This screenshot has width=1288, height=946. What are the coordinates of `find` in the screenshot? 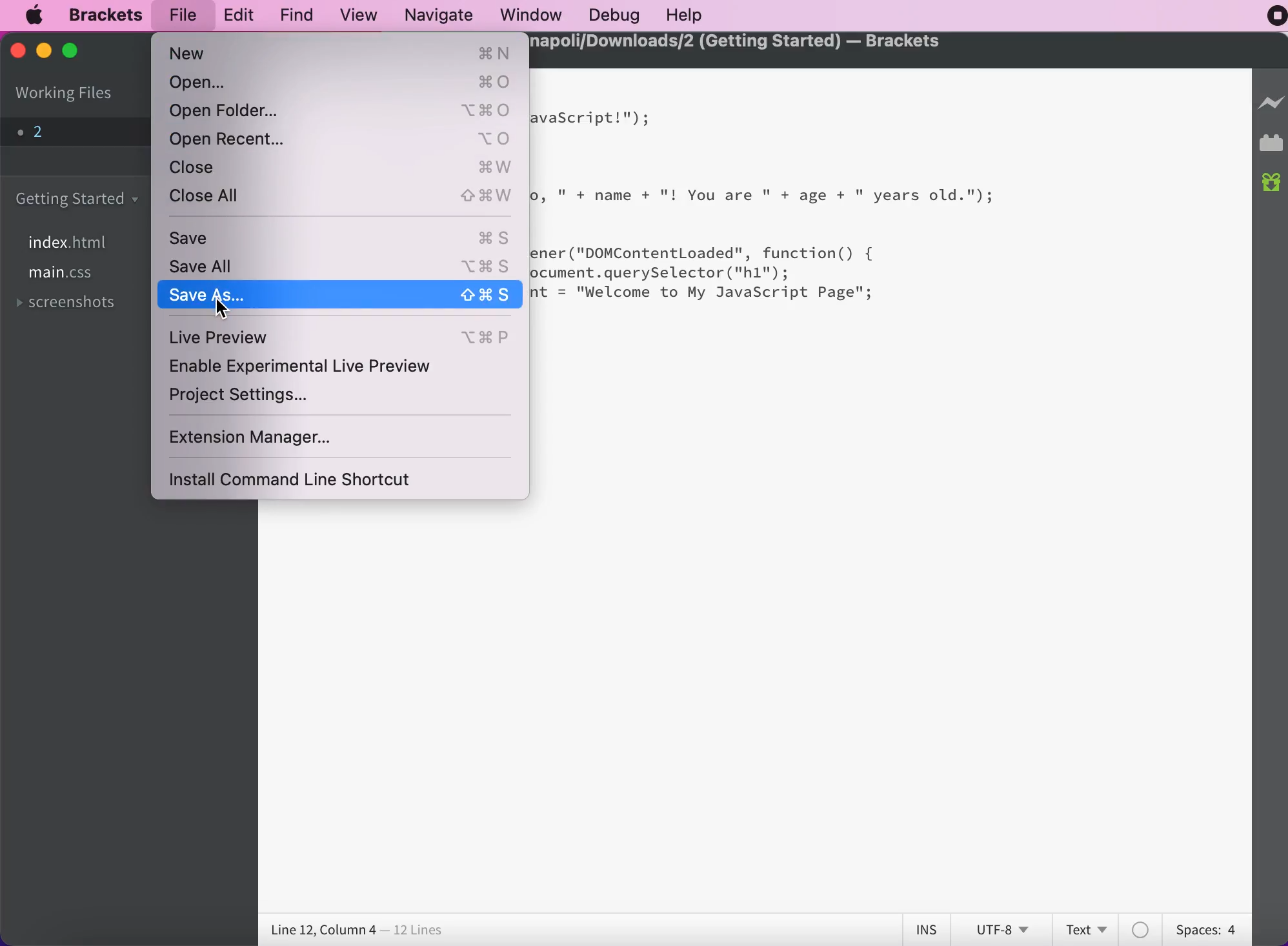 It's located at (293, 15).